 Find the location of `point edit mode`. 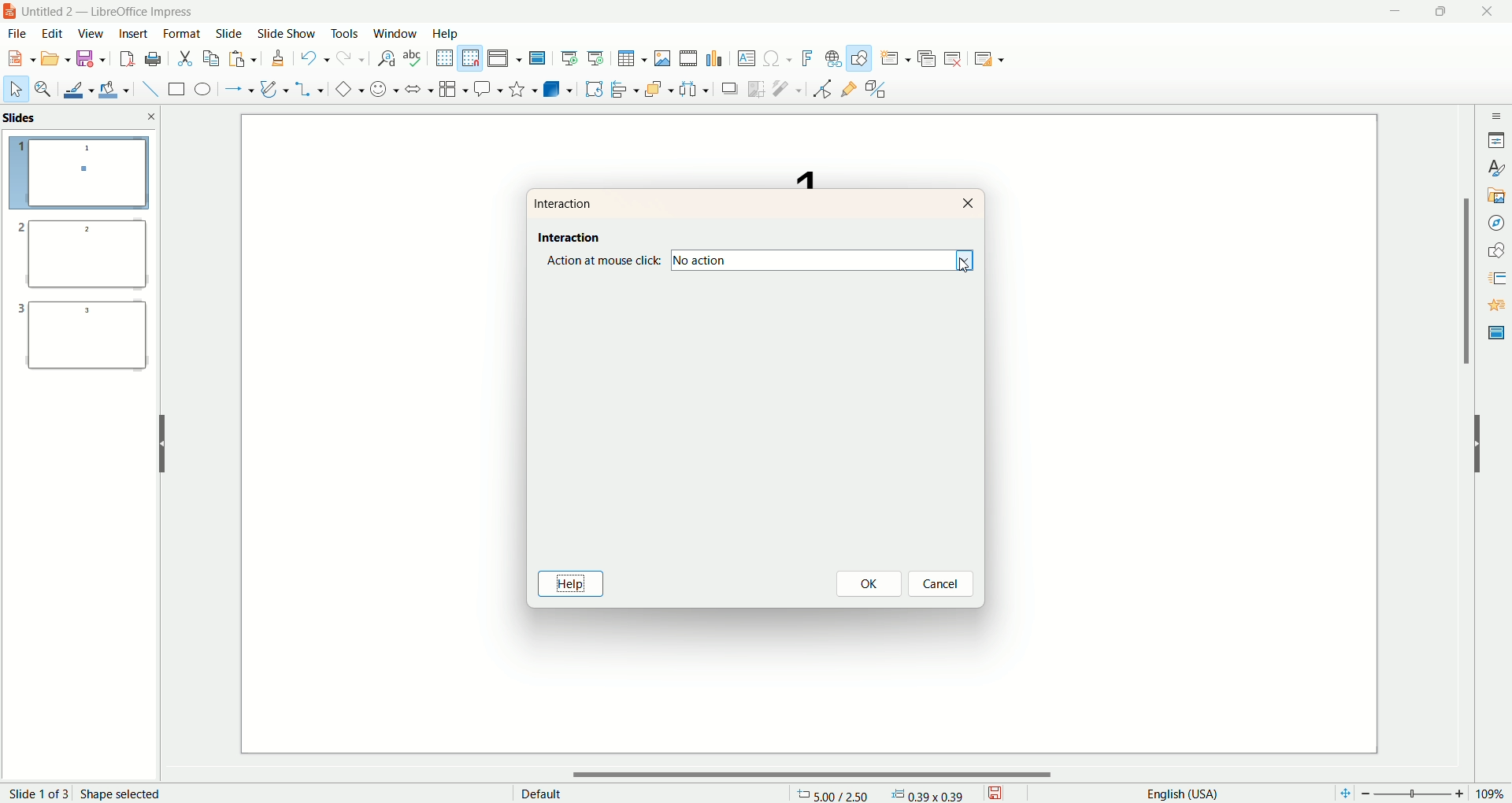

point edit mode is located at coordinates (821, 89).